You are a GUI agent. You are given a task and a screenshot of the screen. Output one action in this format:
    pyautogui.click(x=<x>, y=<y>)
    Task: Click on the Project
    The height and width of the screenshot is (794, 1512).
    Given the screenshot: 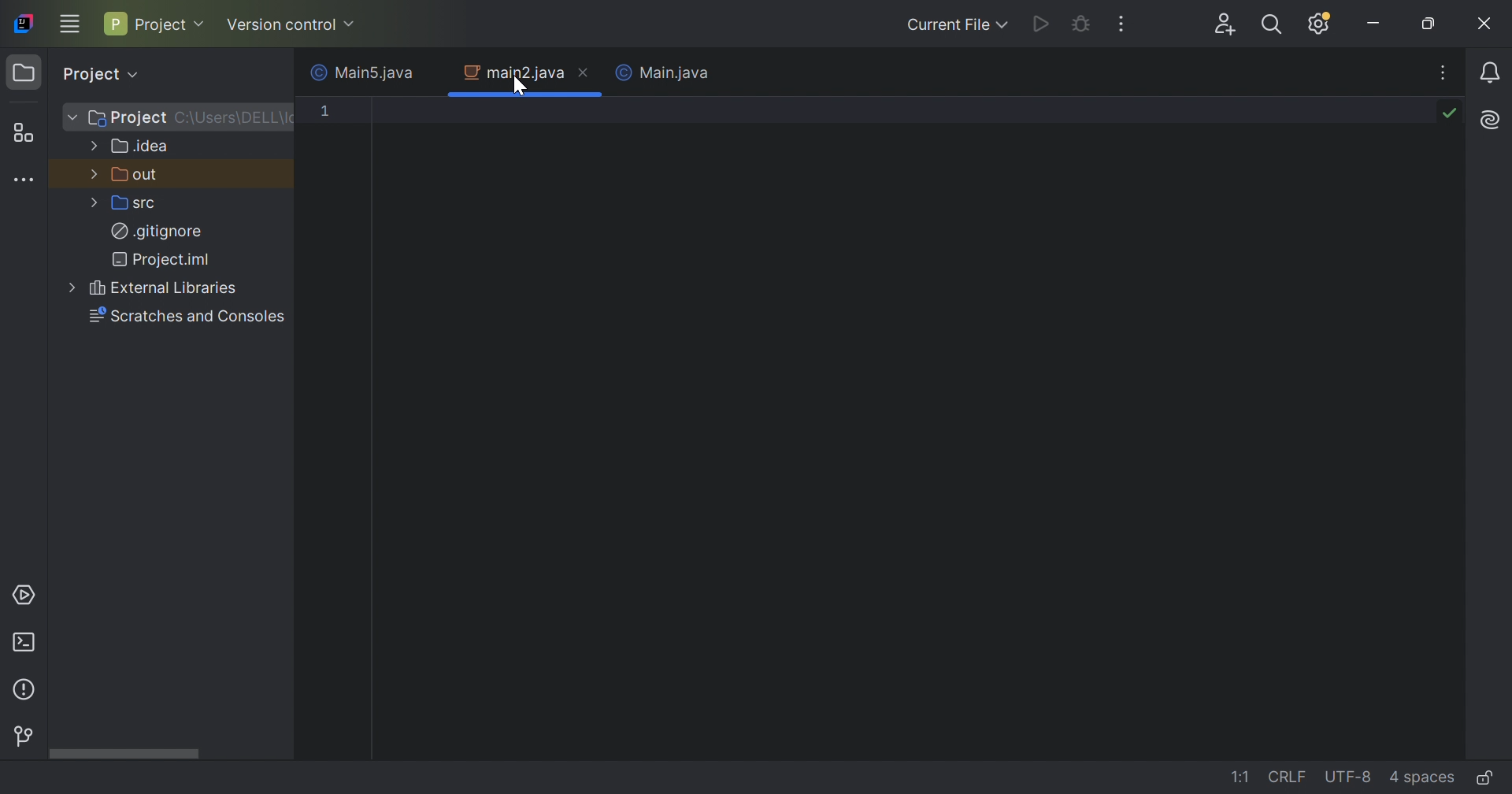 What is the action you would take?
    pyautogui.click(x=156, y=21)
    